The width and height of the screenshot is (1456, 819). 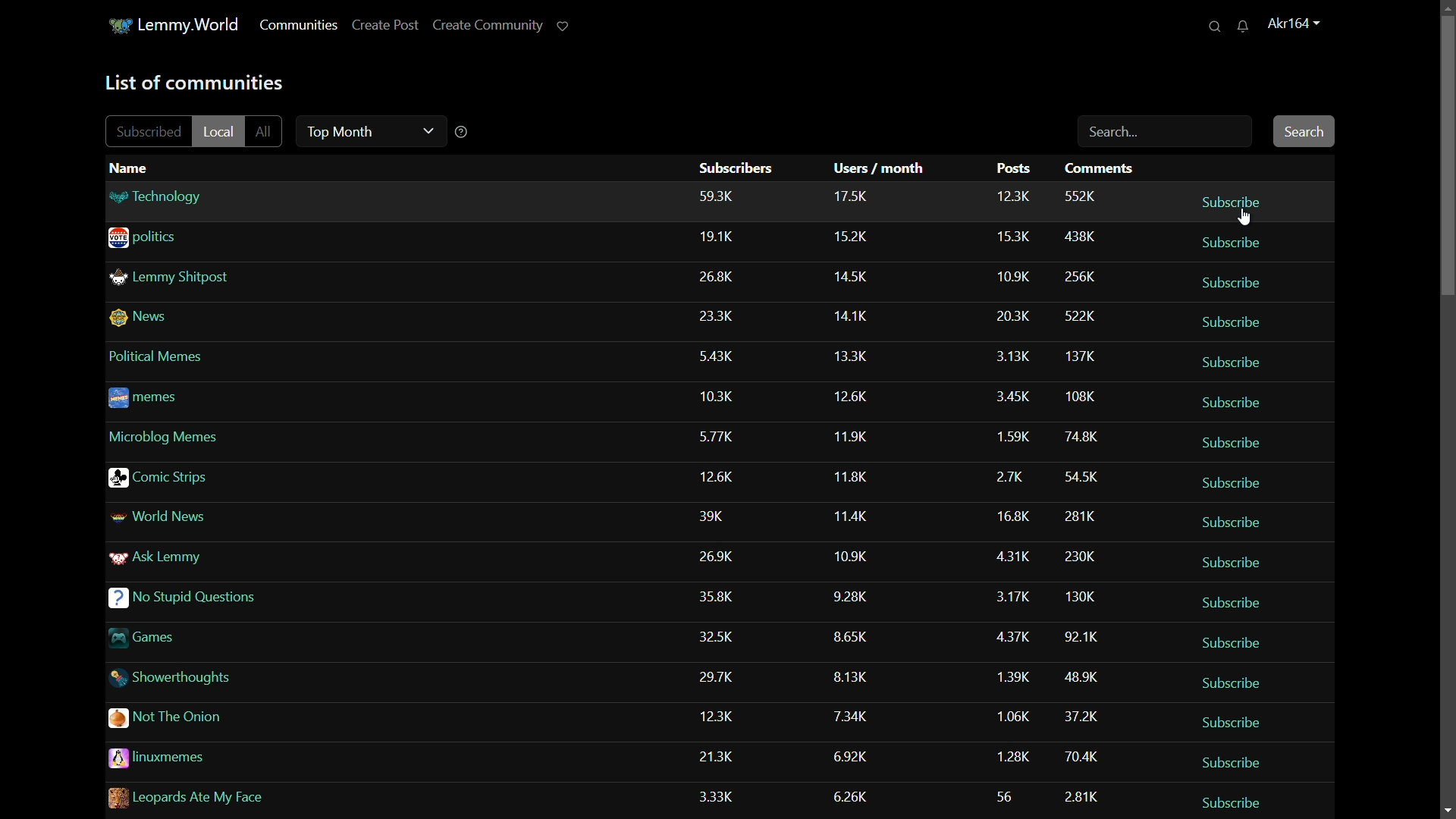 I want to click on comments, so click(x=1085, y=677).